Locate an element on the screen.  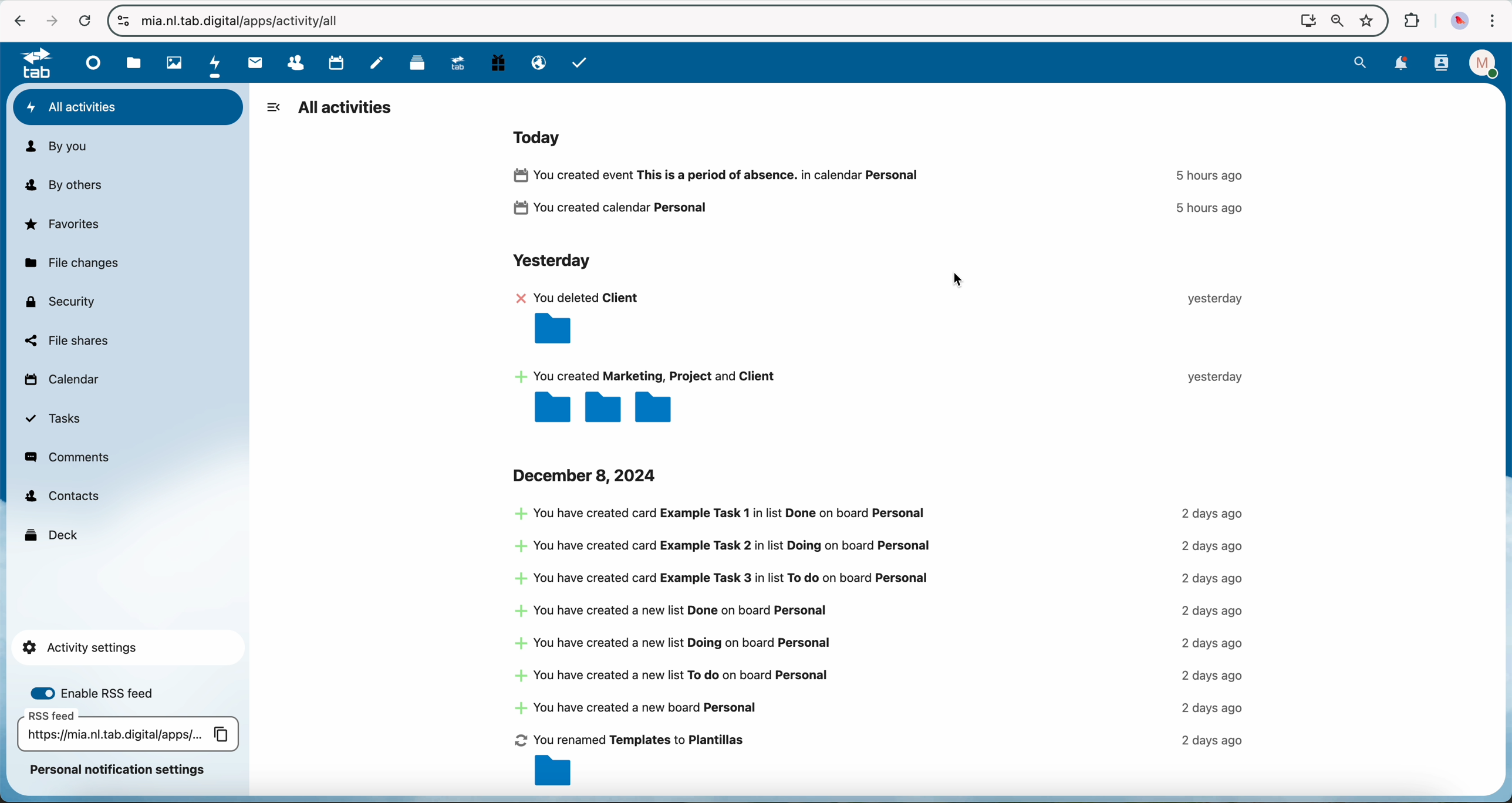
cursor is located at coordinates (964, 278).